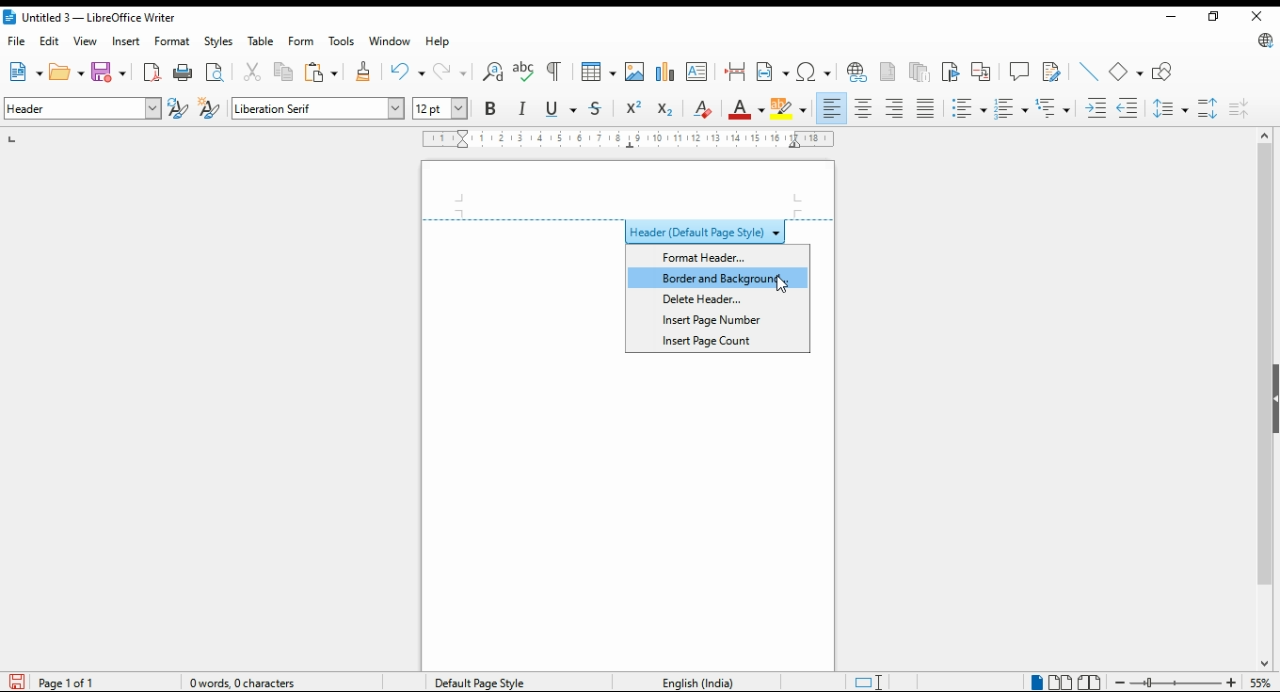 Image resolution: width=1280 pixels, height=692 pixels. What do you see at coordinates (1127, 72) in the screenshot?
I see `basic shape` at bounding box center [1127, 72].